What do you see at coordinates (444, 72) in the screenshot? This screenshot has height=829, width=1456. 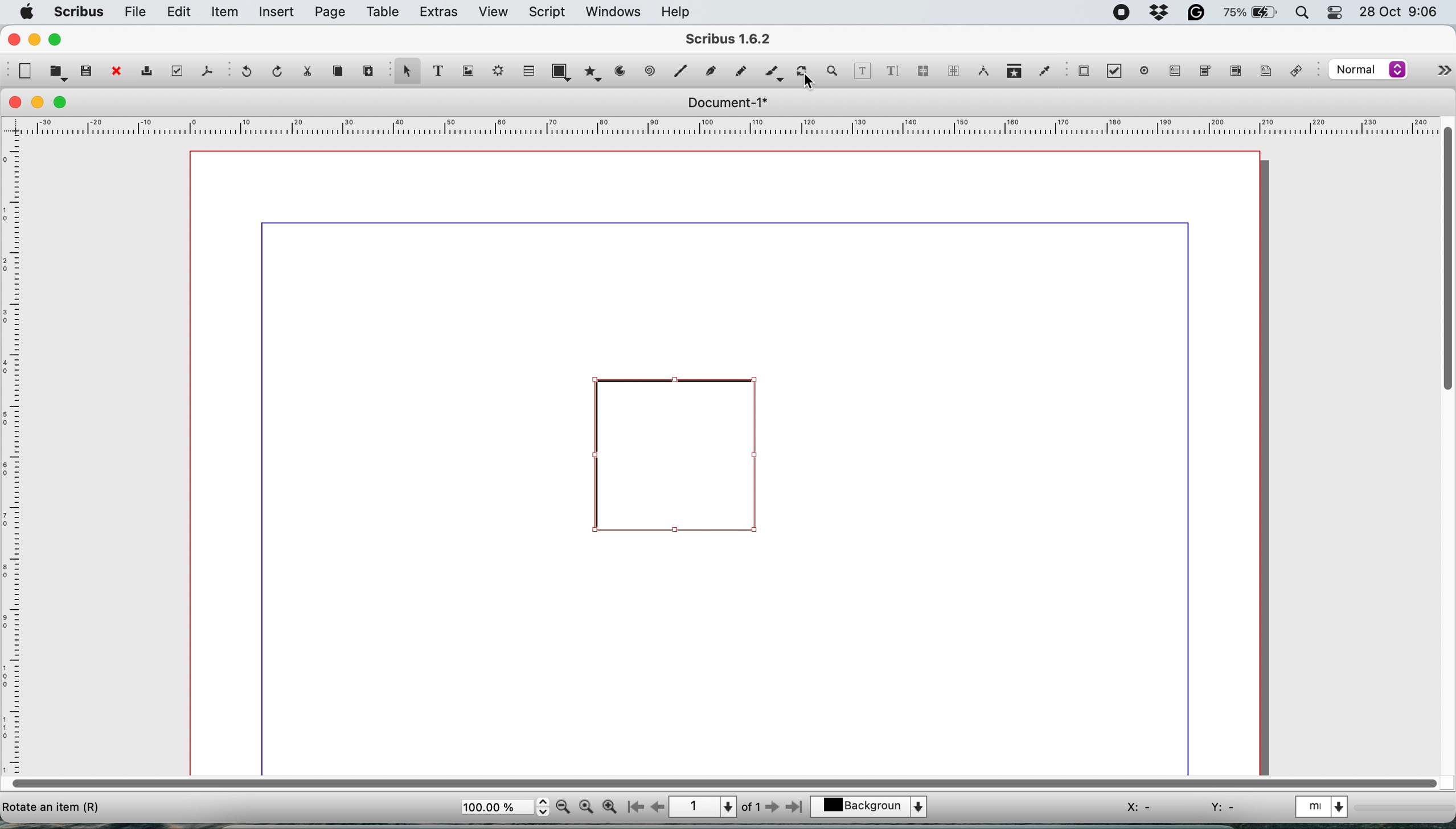 I see `text frame` at bounding box center [444, 72].